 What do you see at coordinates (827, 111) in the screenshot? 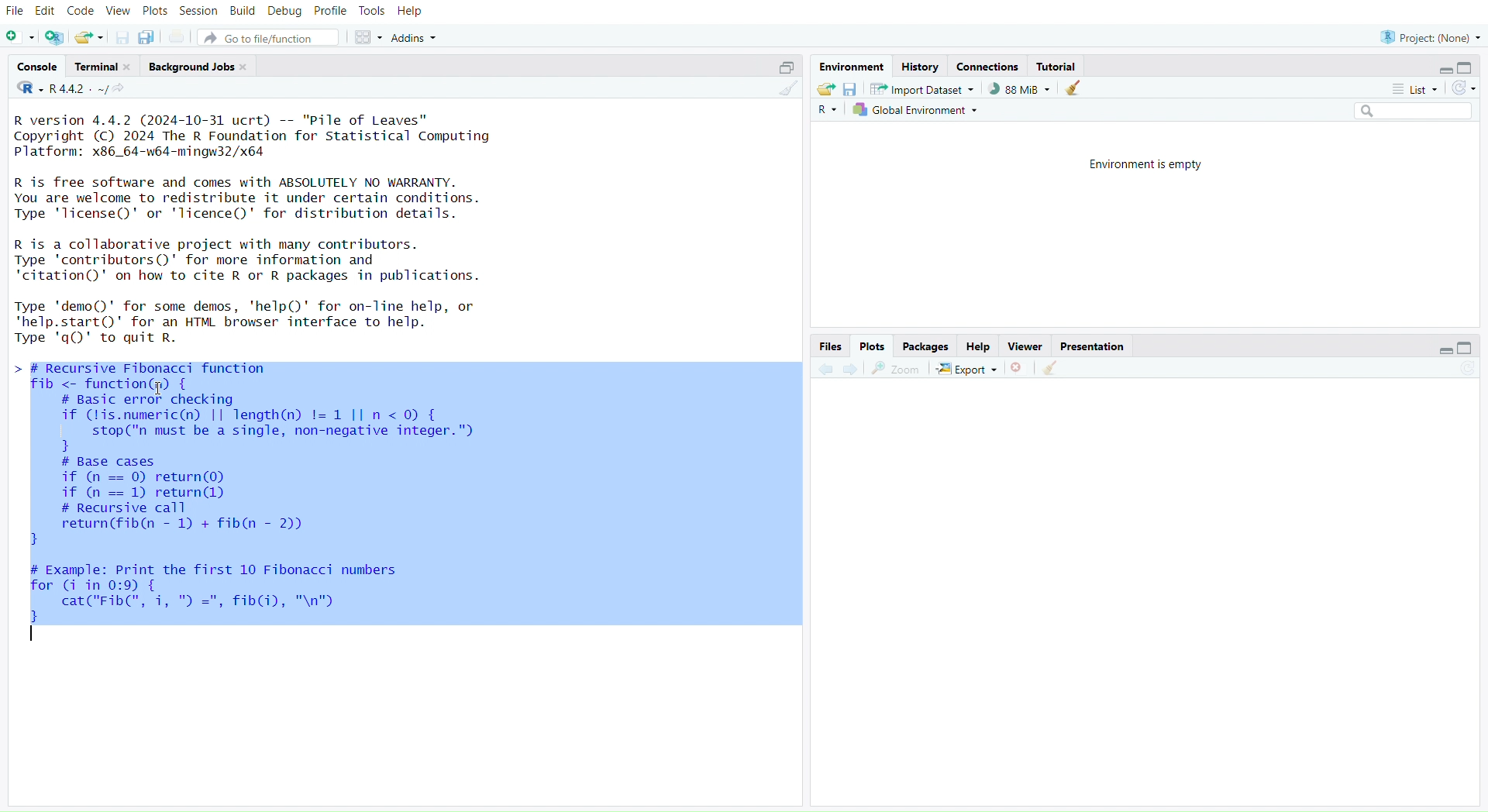
I see `R` at bounding box center [827, 111].